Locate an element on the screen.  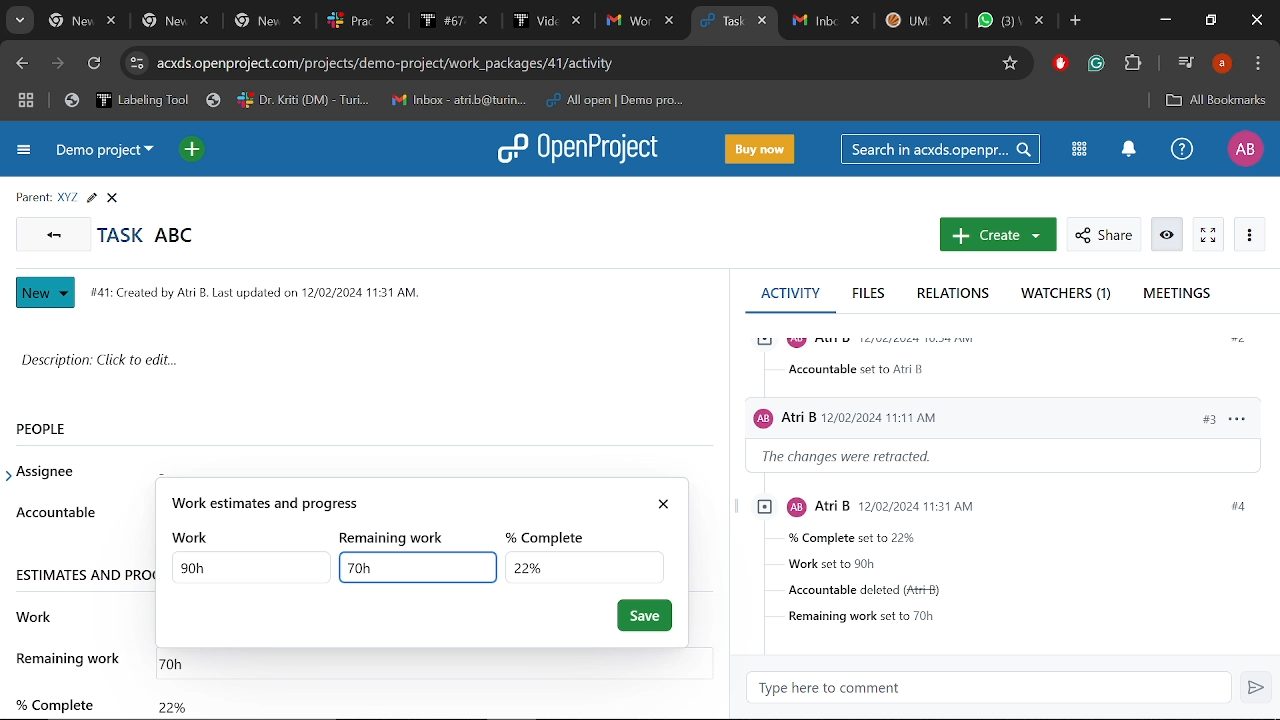
the changes were retracted is located at coordinates (860, 457).